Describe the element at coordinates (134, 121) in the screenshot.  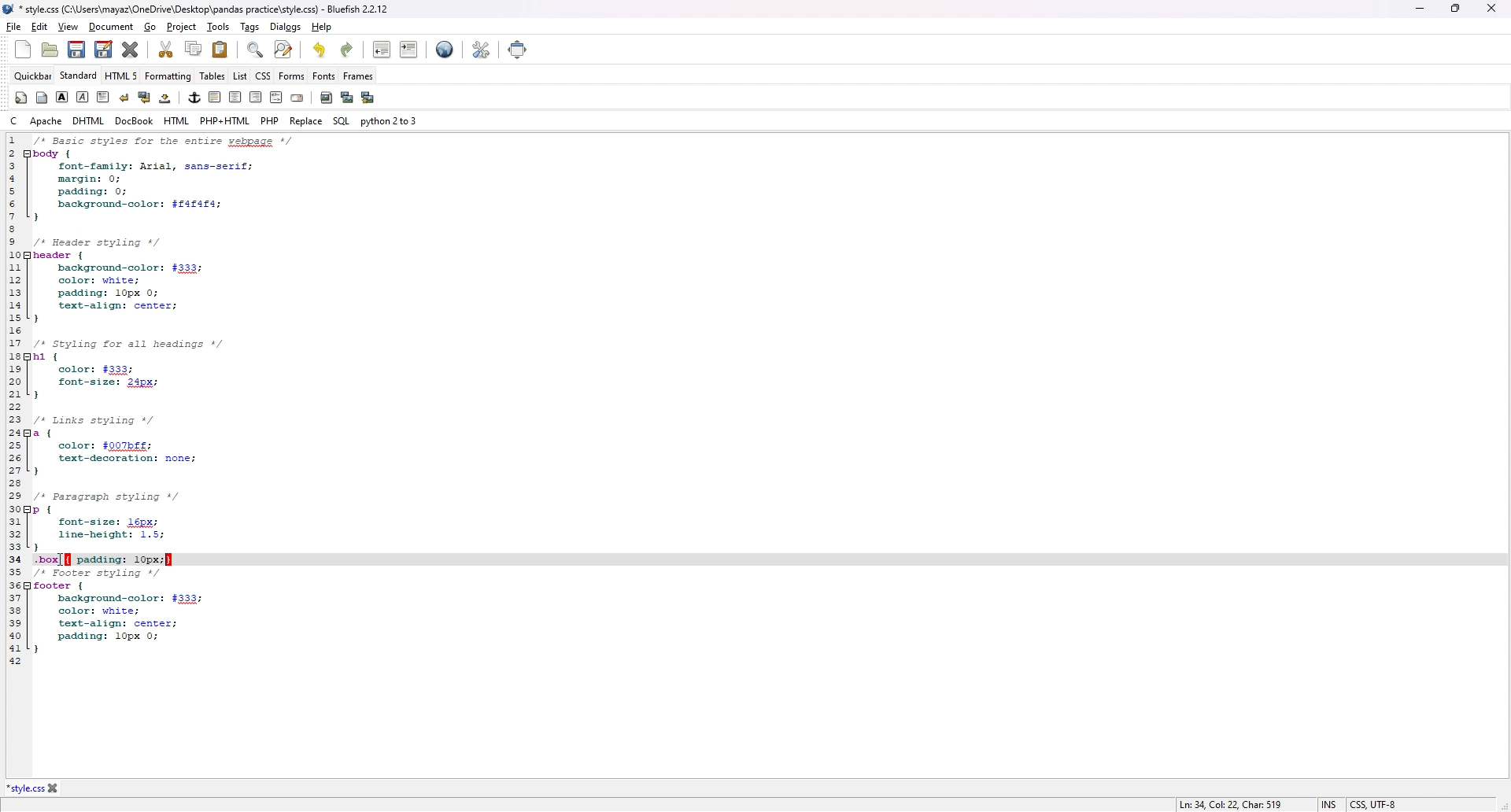
I see `docbook` at that location.